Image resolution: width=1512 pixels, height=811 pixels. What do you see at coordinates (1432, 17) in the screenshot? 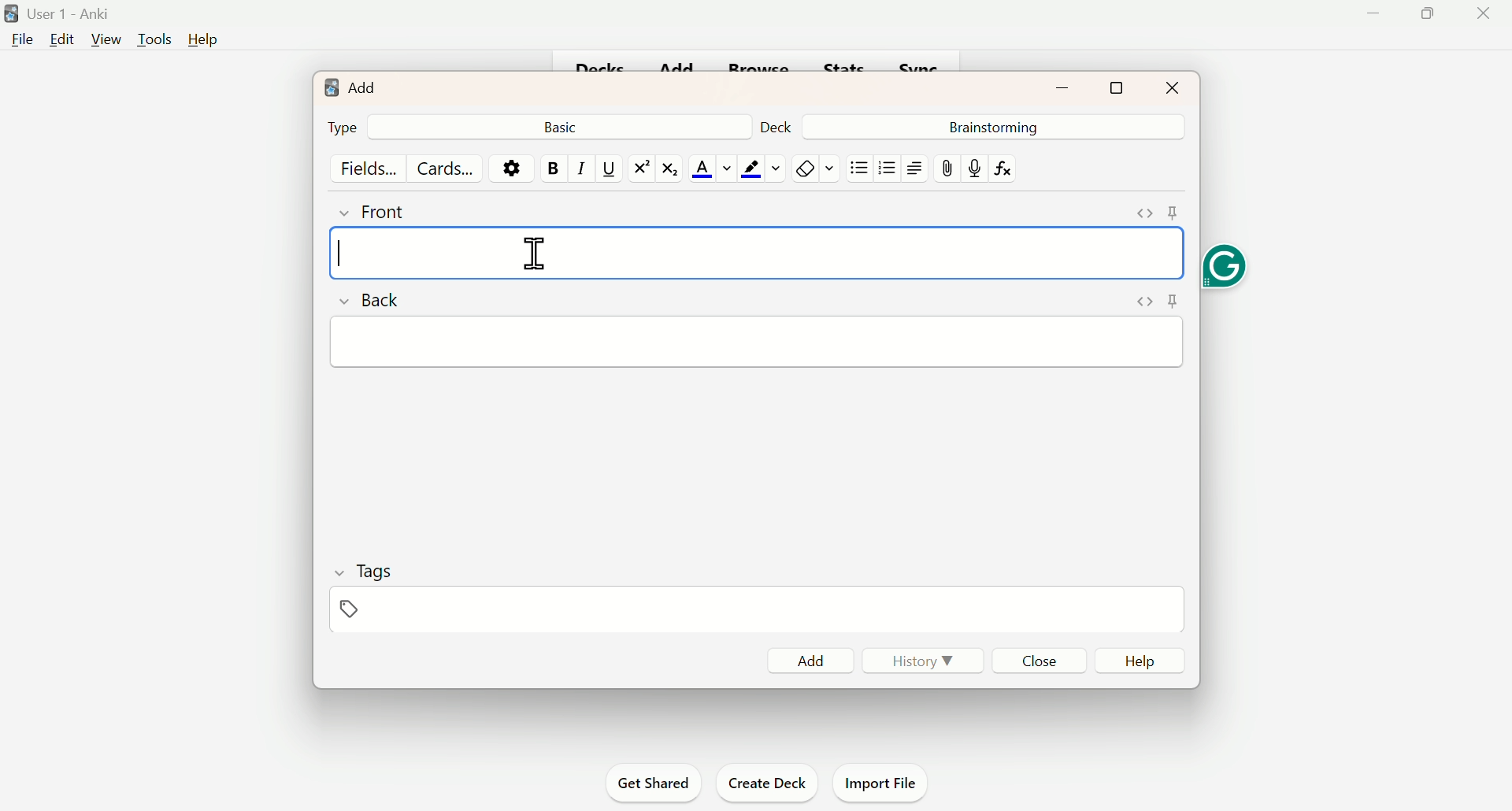
I see ` Maimize` at bounding box center [1432, 17].